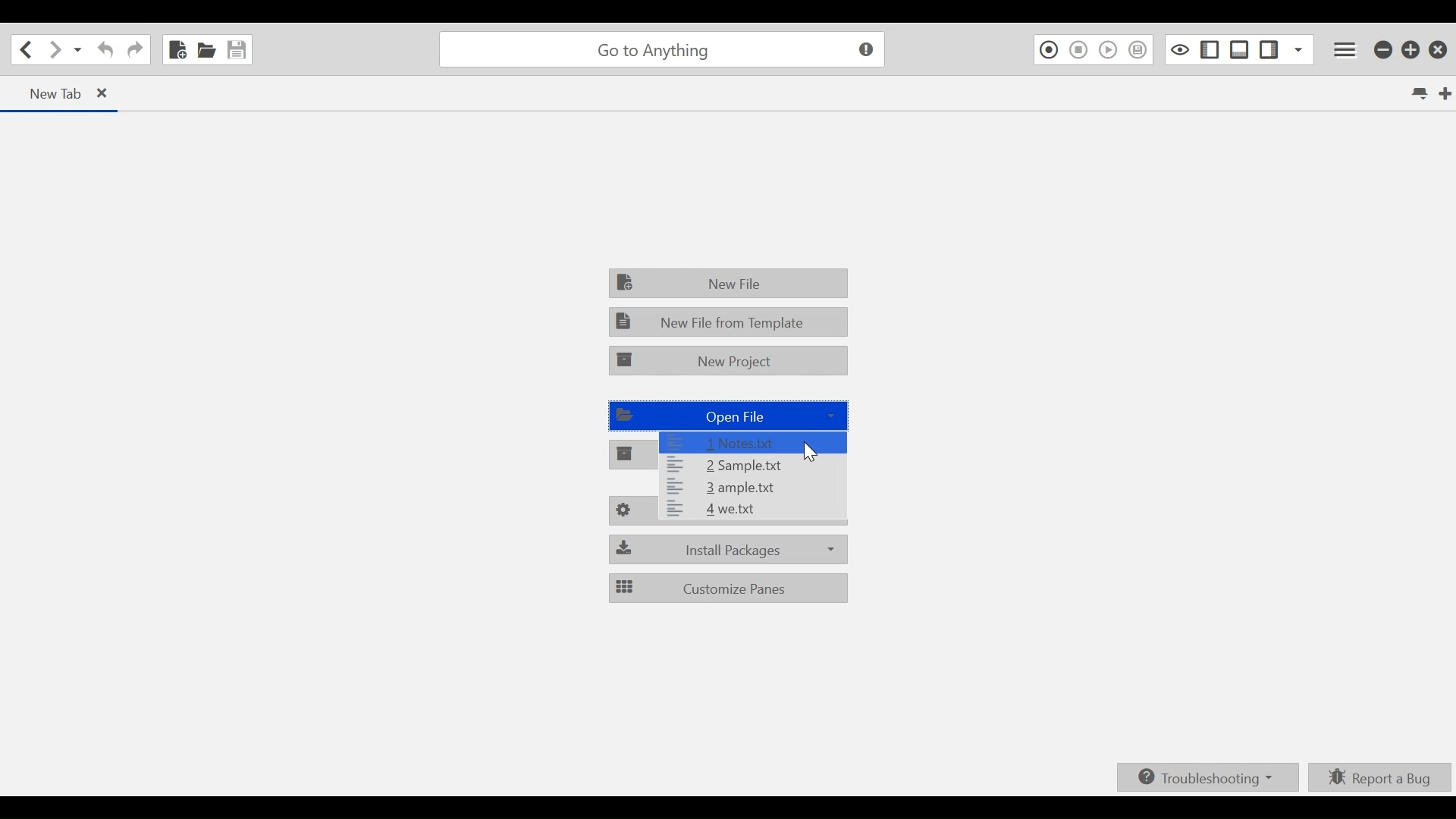  Describe the element at coordinates (727, 323) in the screenshot. I see `New File from Template` at that location.